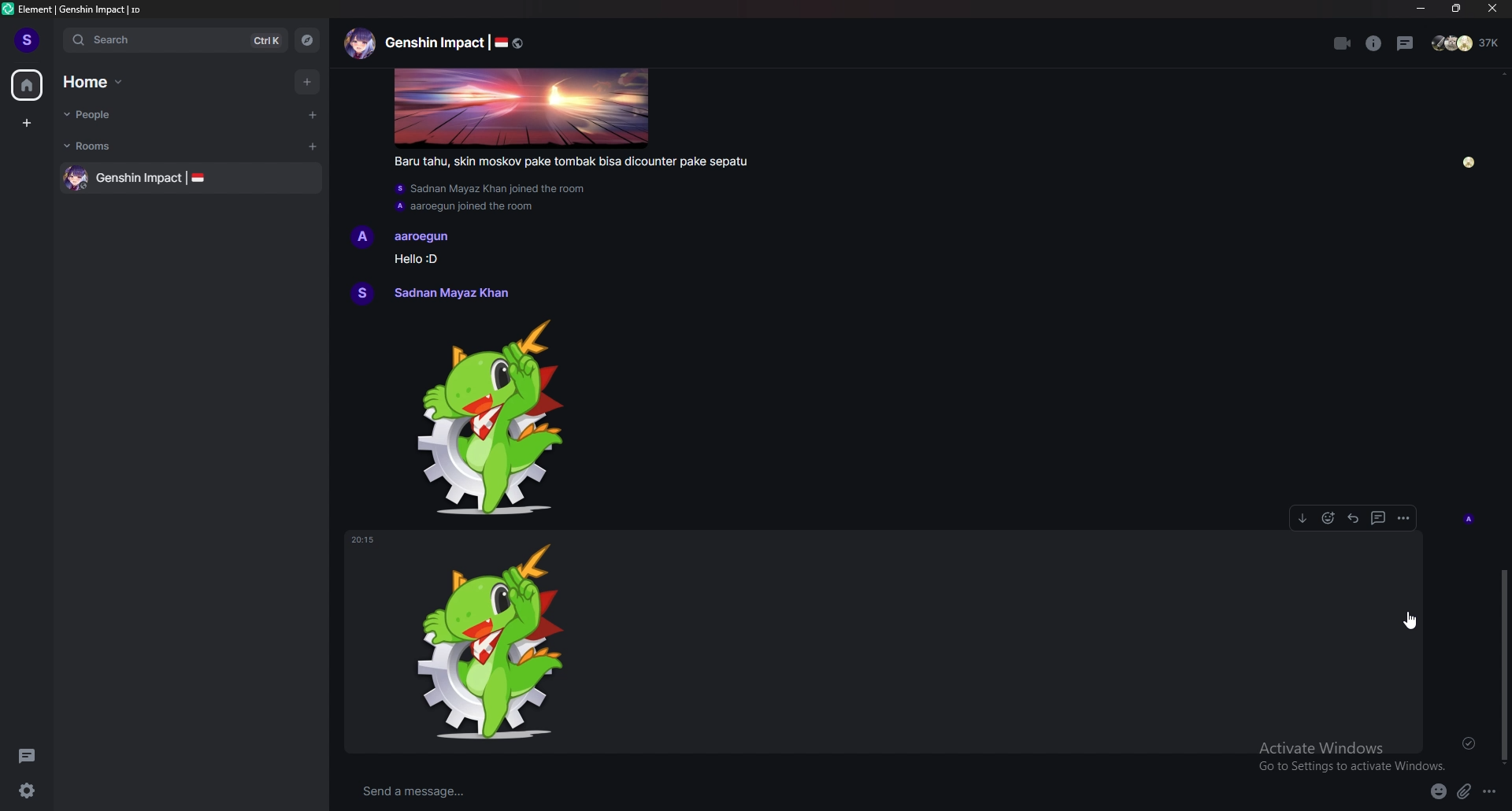 Image resolution: width=1512 pixels, height=811 pixels. Describe the element at coordinates (311, 114) in the screenshot. I see `start chat` at that location.